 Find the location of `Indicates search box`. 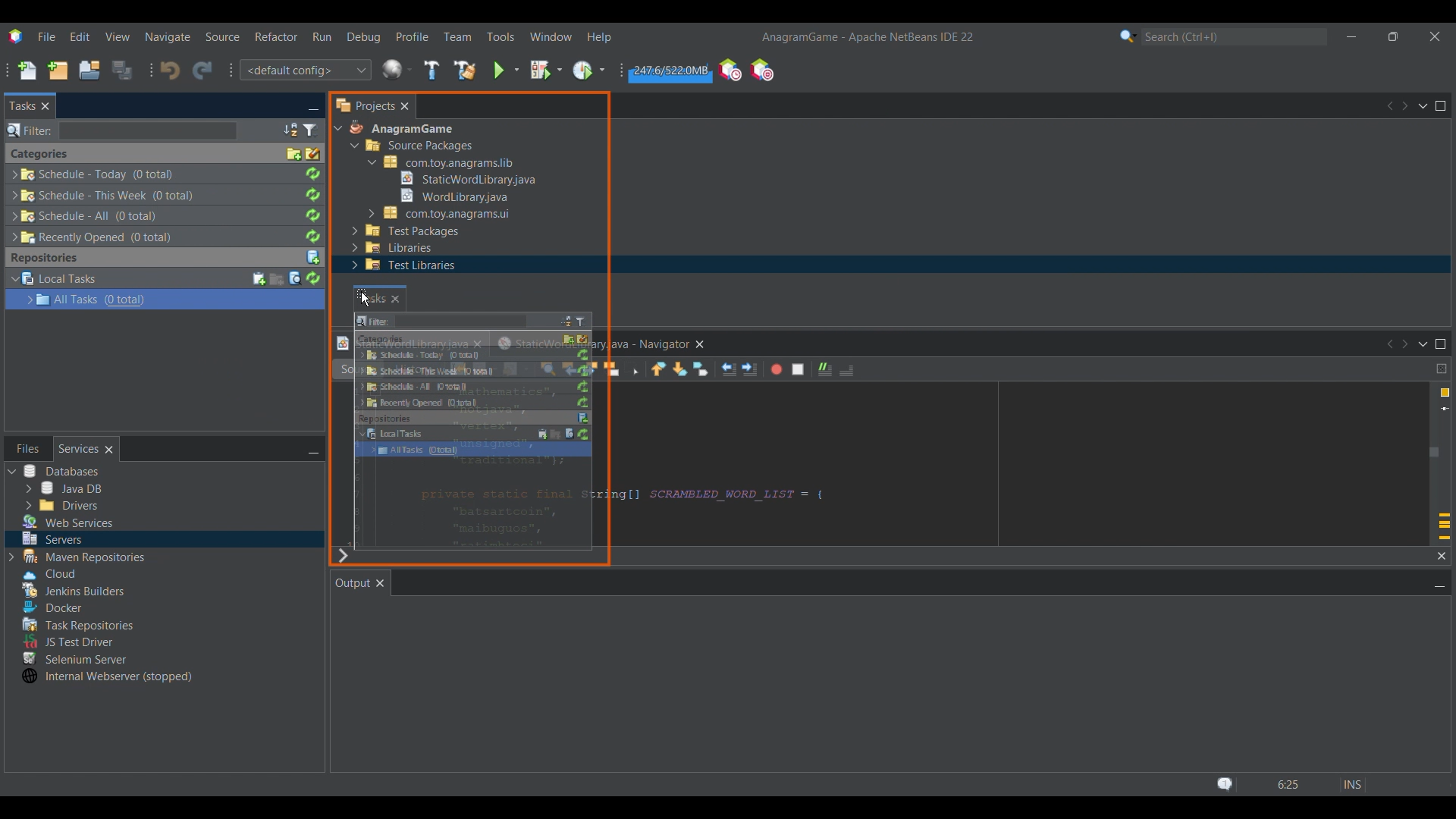

Indicates search box is located at coordinates (30, 130).